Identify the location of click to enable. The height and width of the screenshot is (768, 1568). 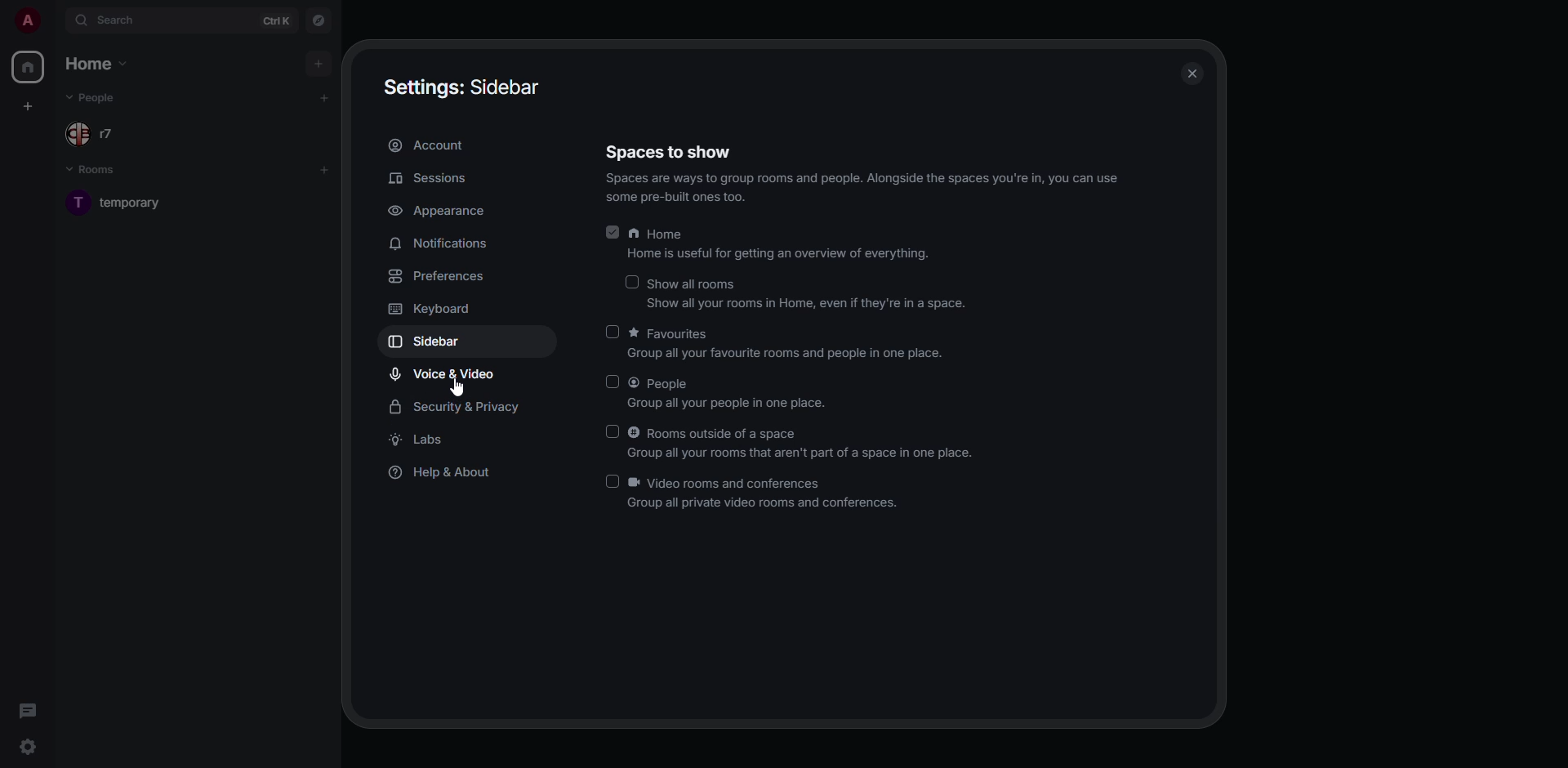
(612, 382).